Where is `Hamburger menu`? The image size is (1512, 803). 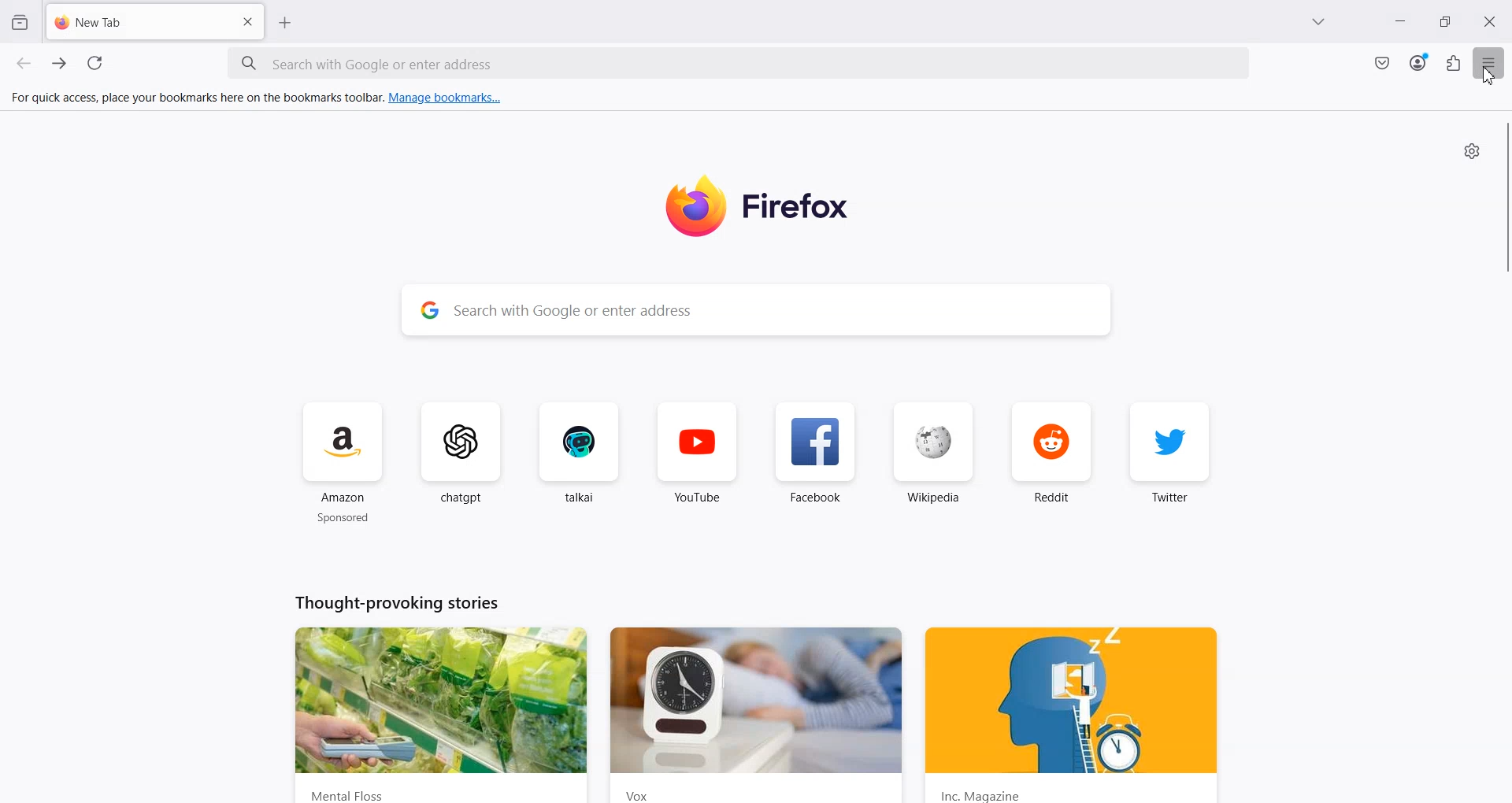
Hamburger menu is located at coordinates (1491, 64).